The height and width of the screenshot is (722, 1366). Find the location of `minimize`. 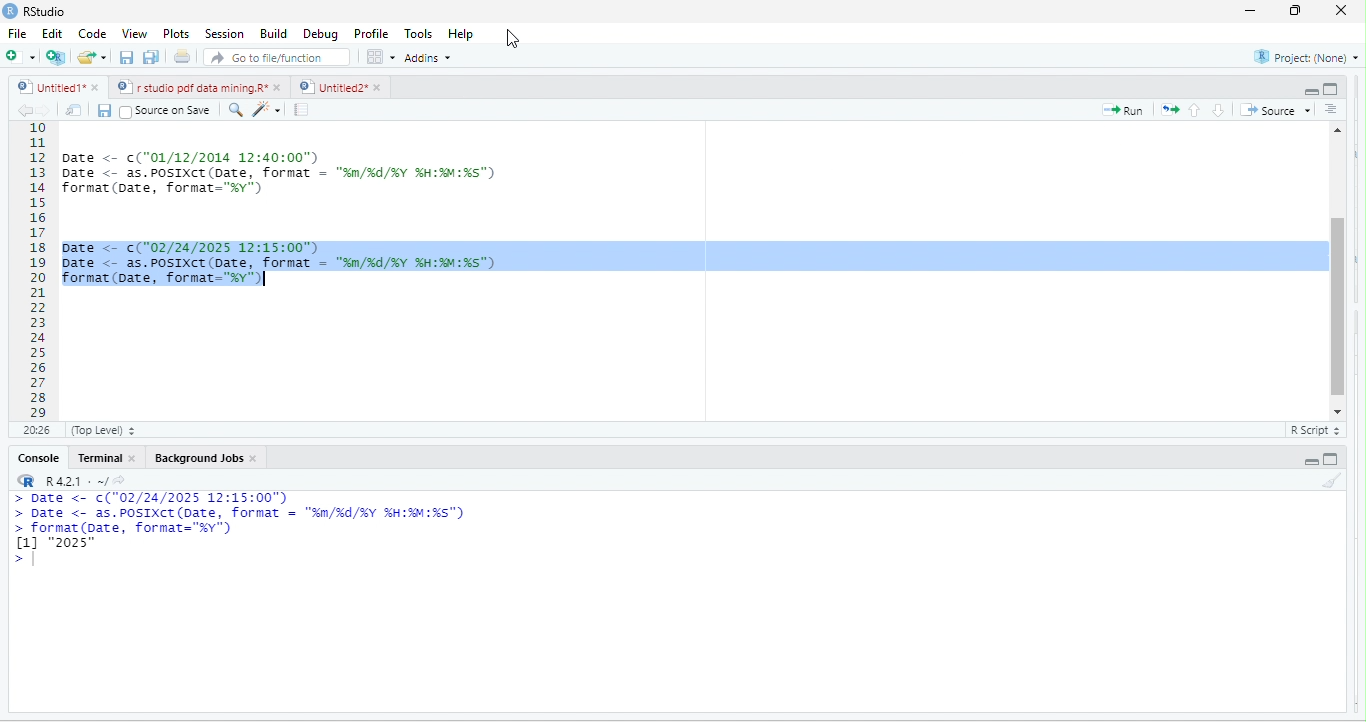

minimize is located at coordinates (1251, 12).